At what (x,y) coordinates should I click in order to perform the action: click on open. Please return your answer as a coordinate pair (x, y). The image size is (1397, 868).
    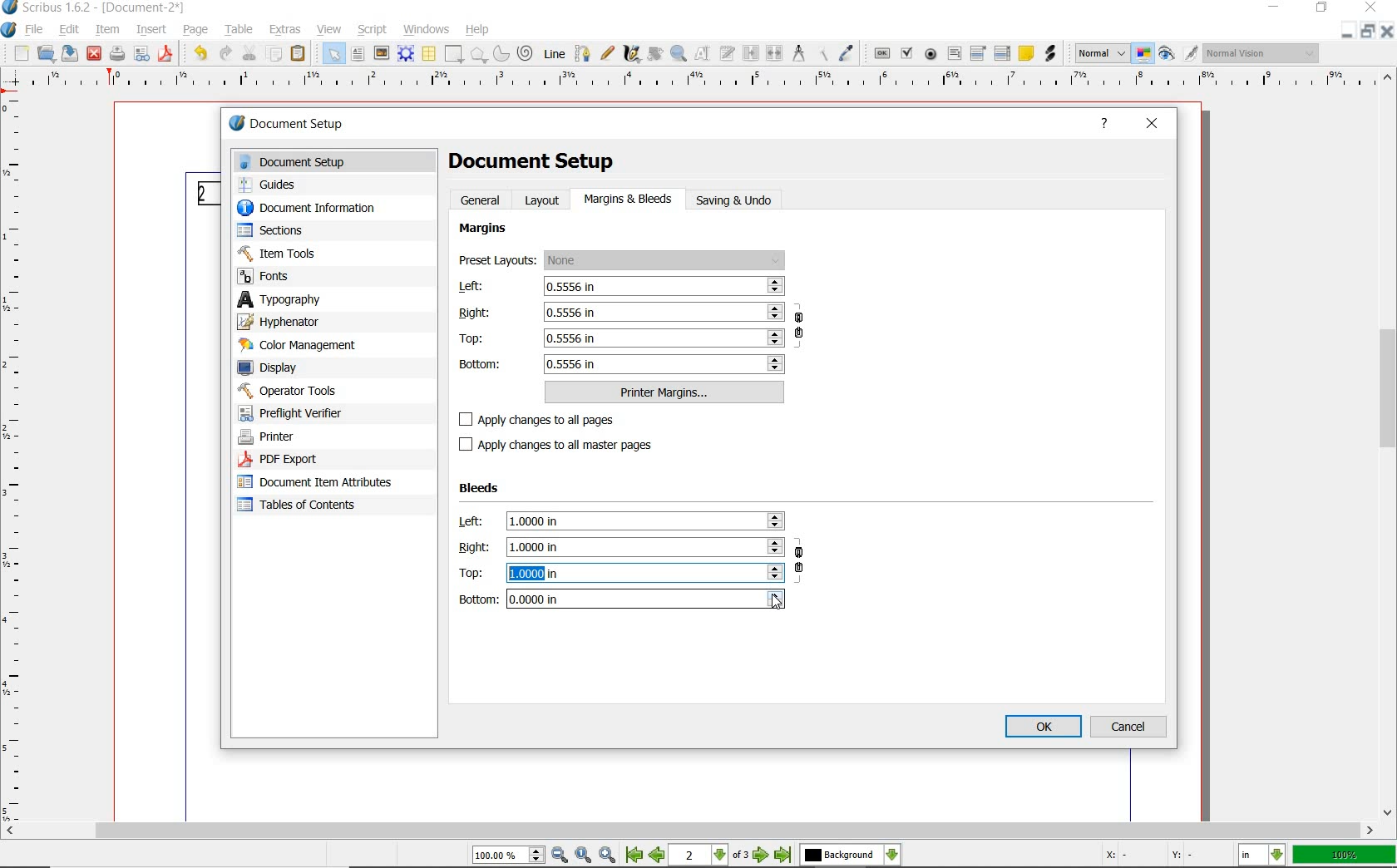
    Looking at the image, I should click on (47, 55).